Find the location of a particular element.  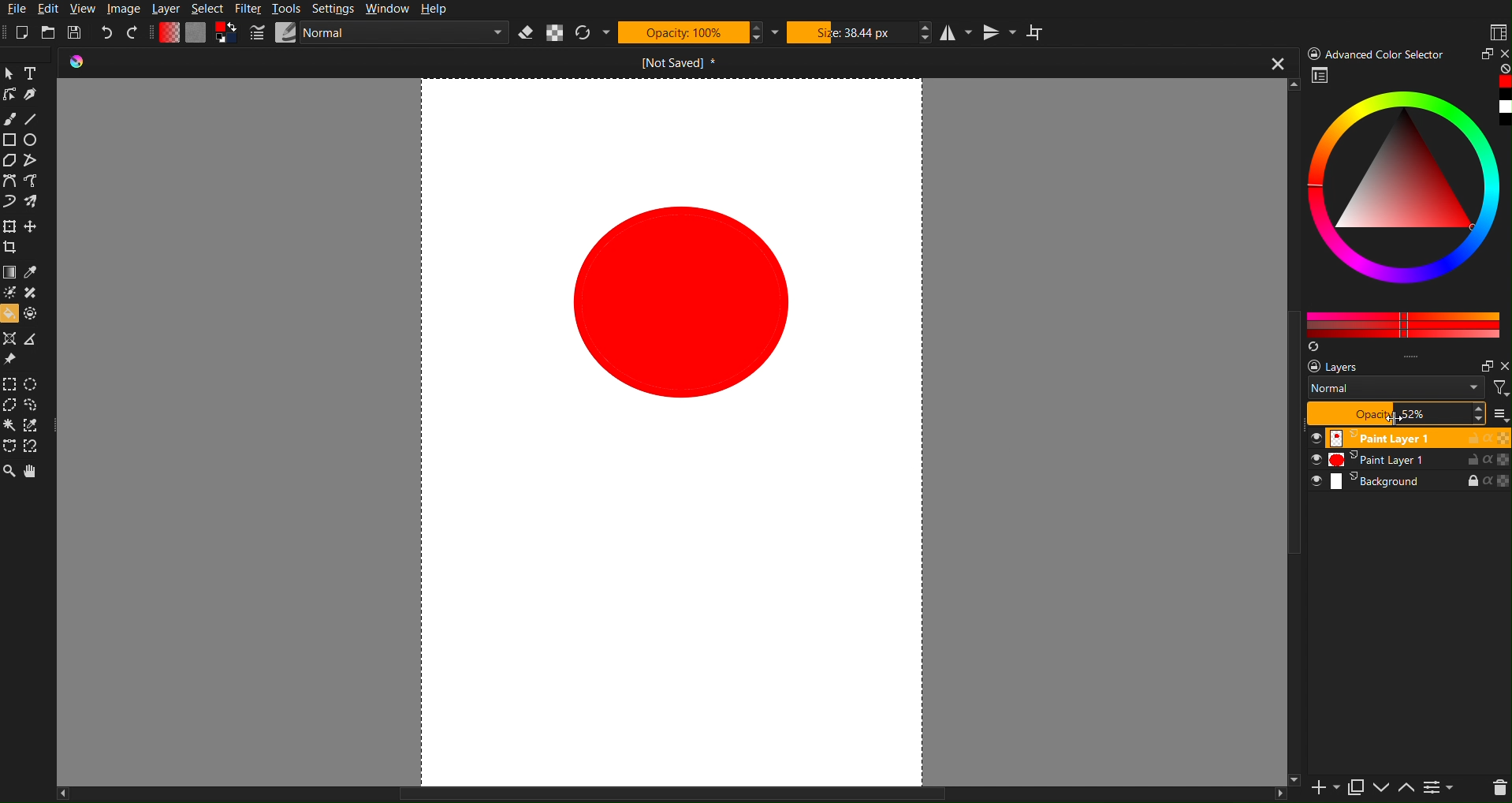

Refresh is located at coordinates (594, 35).